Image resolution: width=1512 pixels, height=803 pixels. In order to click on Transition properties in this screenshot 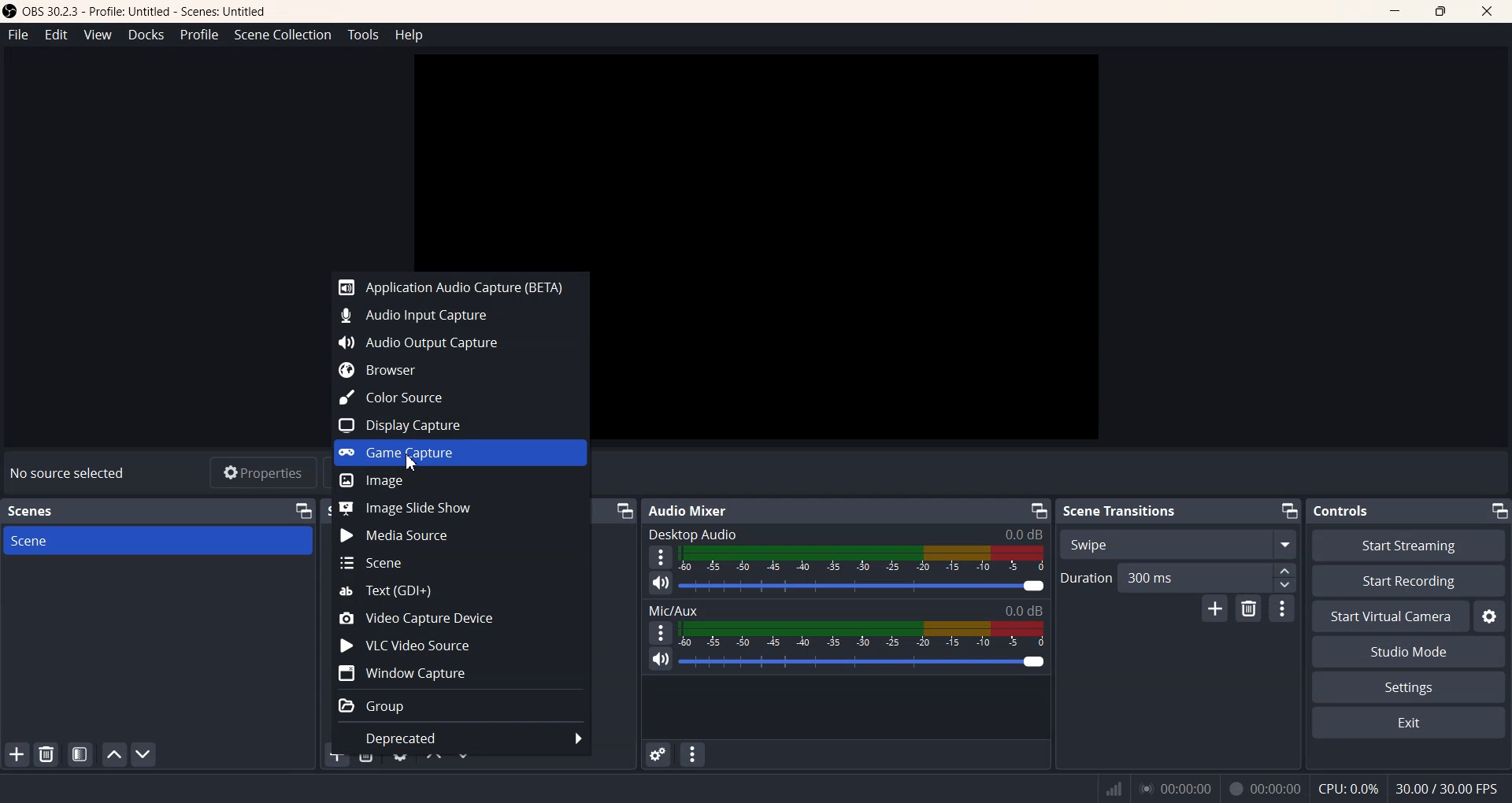, I will do `click(1281, 608)`.